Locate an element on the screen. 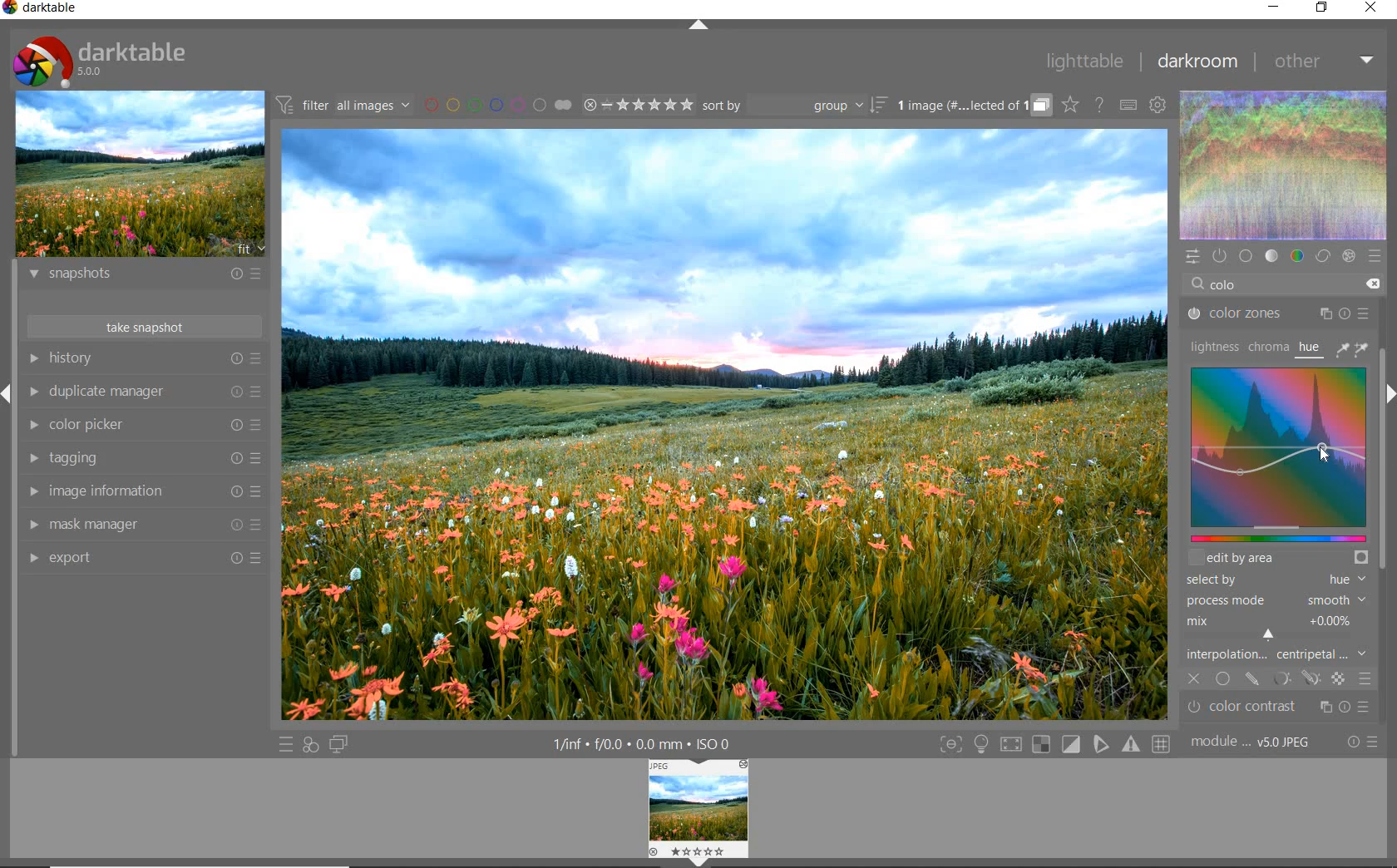 The width and height of the screenshot is (1397, 868). color is located at coordinates (1296, 256).